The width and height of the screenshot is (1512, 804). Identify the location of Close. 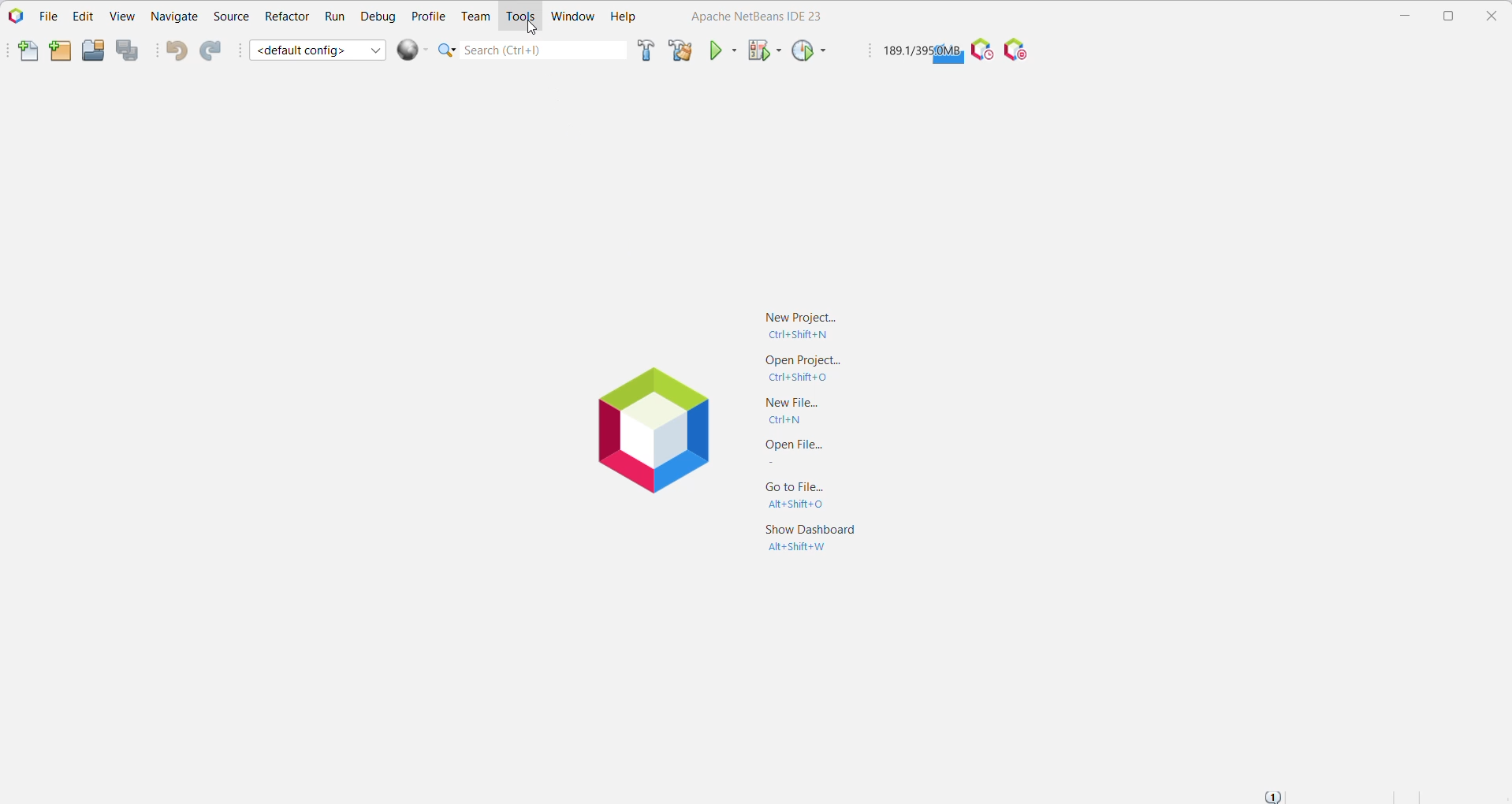
(1495, 17).